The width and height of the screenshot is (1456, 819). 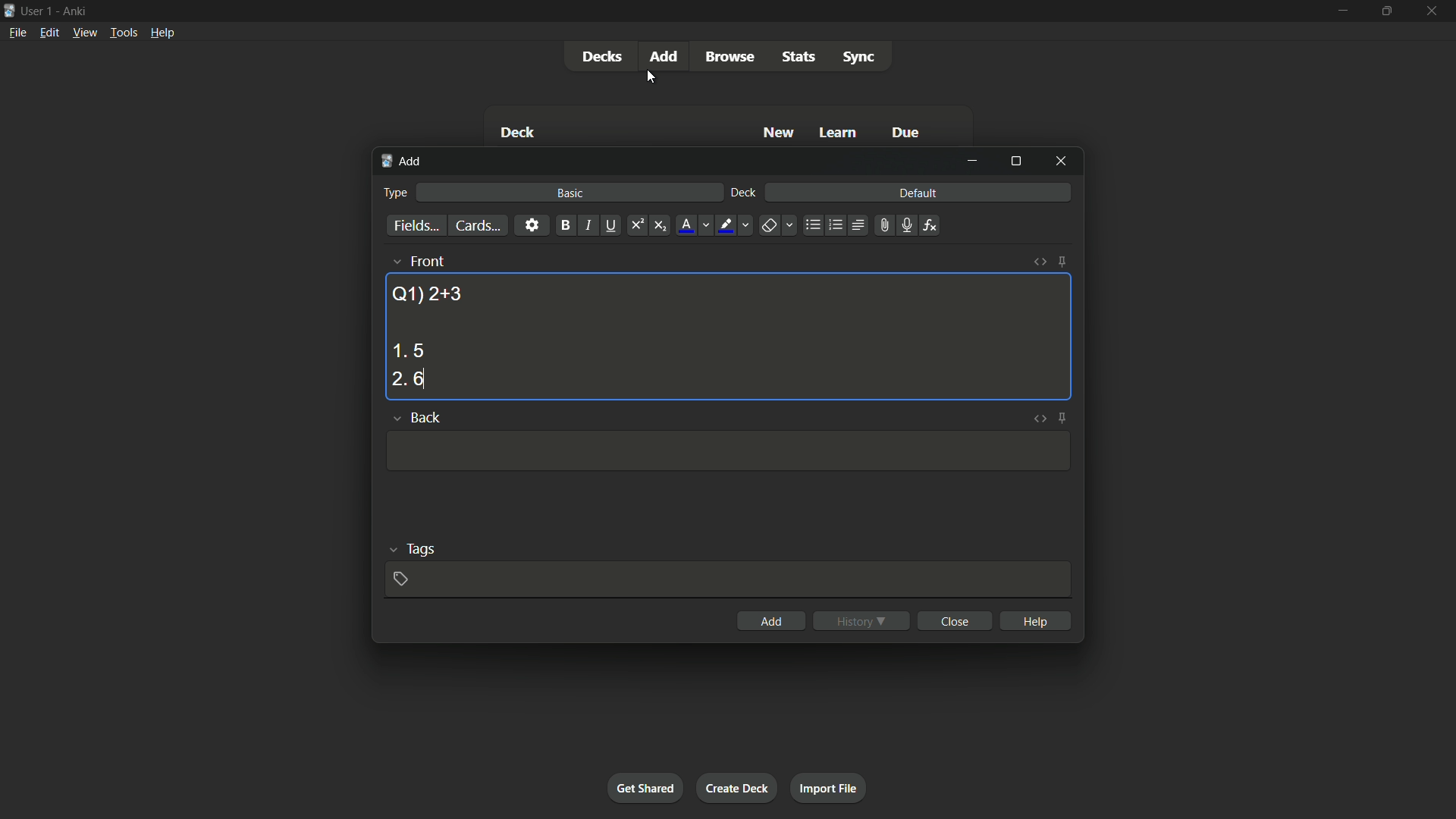 What do you see at coordinates (610, 225) in the screenshot?
I see `underline` at bounding box center [610, 225].